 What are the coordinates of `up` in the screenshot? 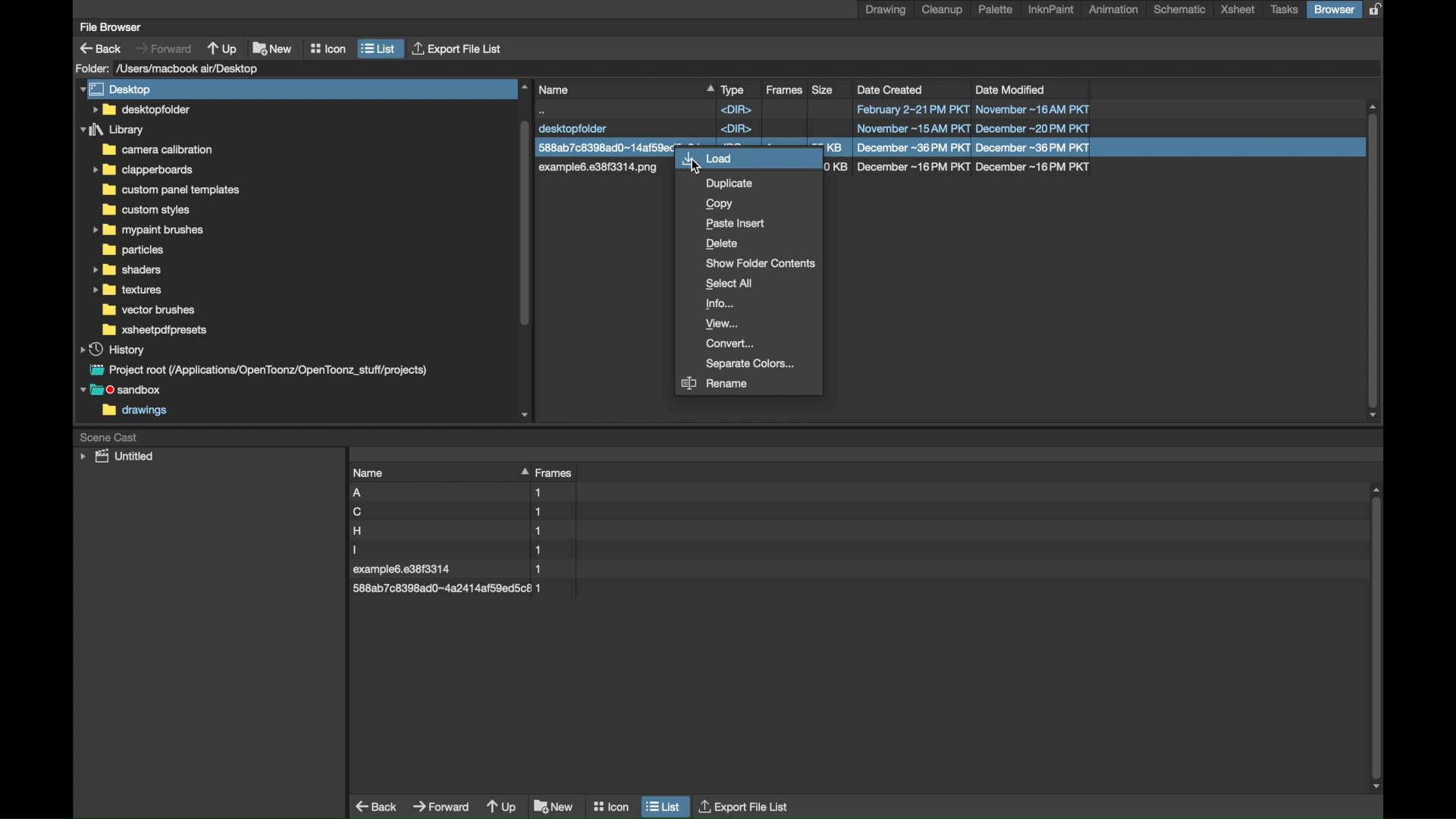 It's located at (224, 48).